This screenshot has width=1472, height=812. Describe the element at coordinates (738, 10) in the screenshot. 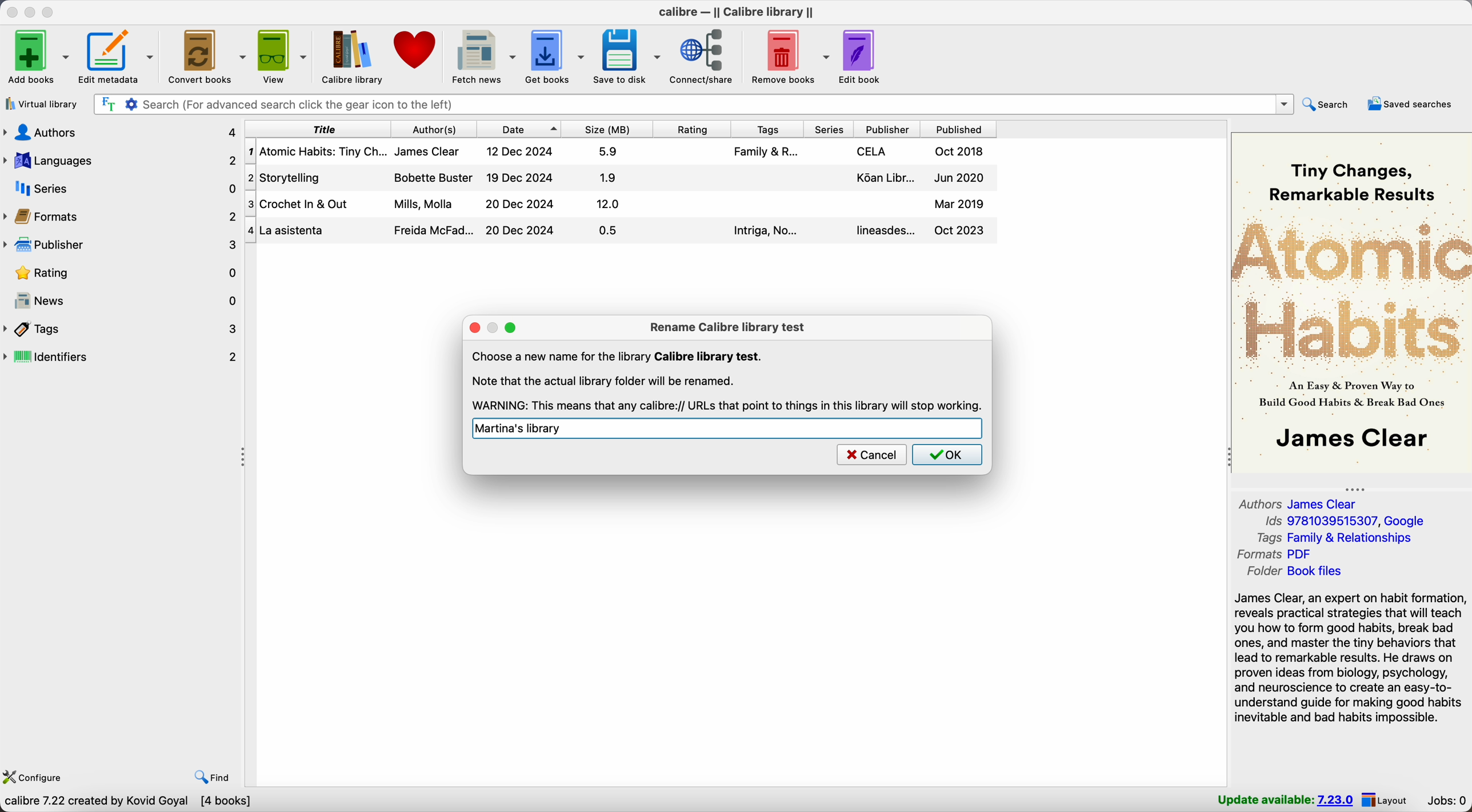

I see `Calibre - || Calibre library ||` at that location.